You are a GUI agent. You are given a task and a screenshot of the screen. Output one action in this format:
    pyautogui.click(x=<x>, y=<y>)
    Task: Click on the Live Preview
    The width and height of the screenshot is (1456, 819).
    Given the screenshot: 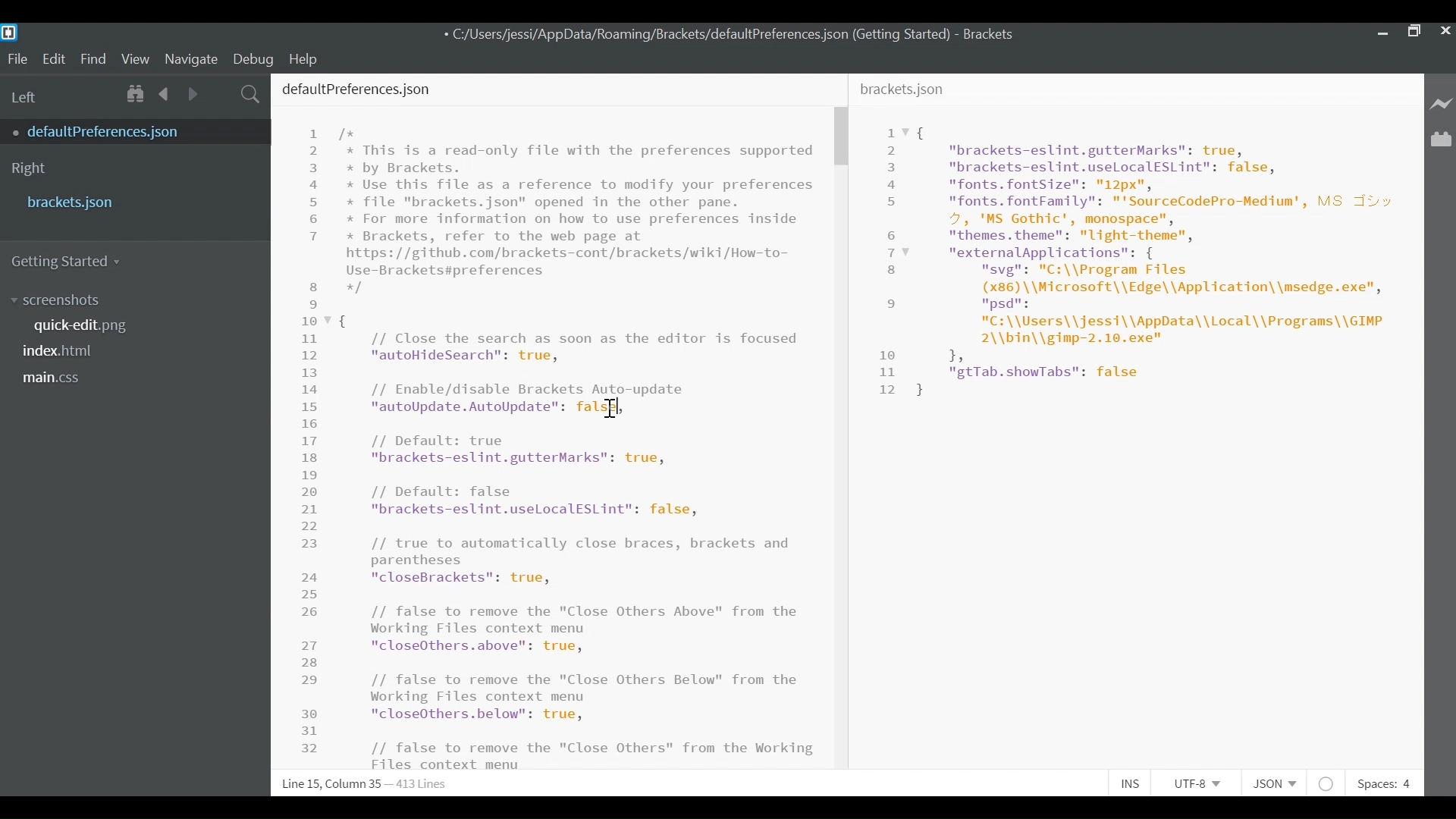 What is the action you would take?
    pyautogui.click(x=1439, y=102)
    